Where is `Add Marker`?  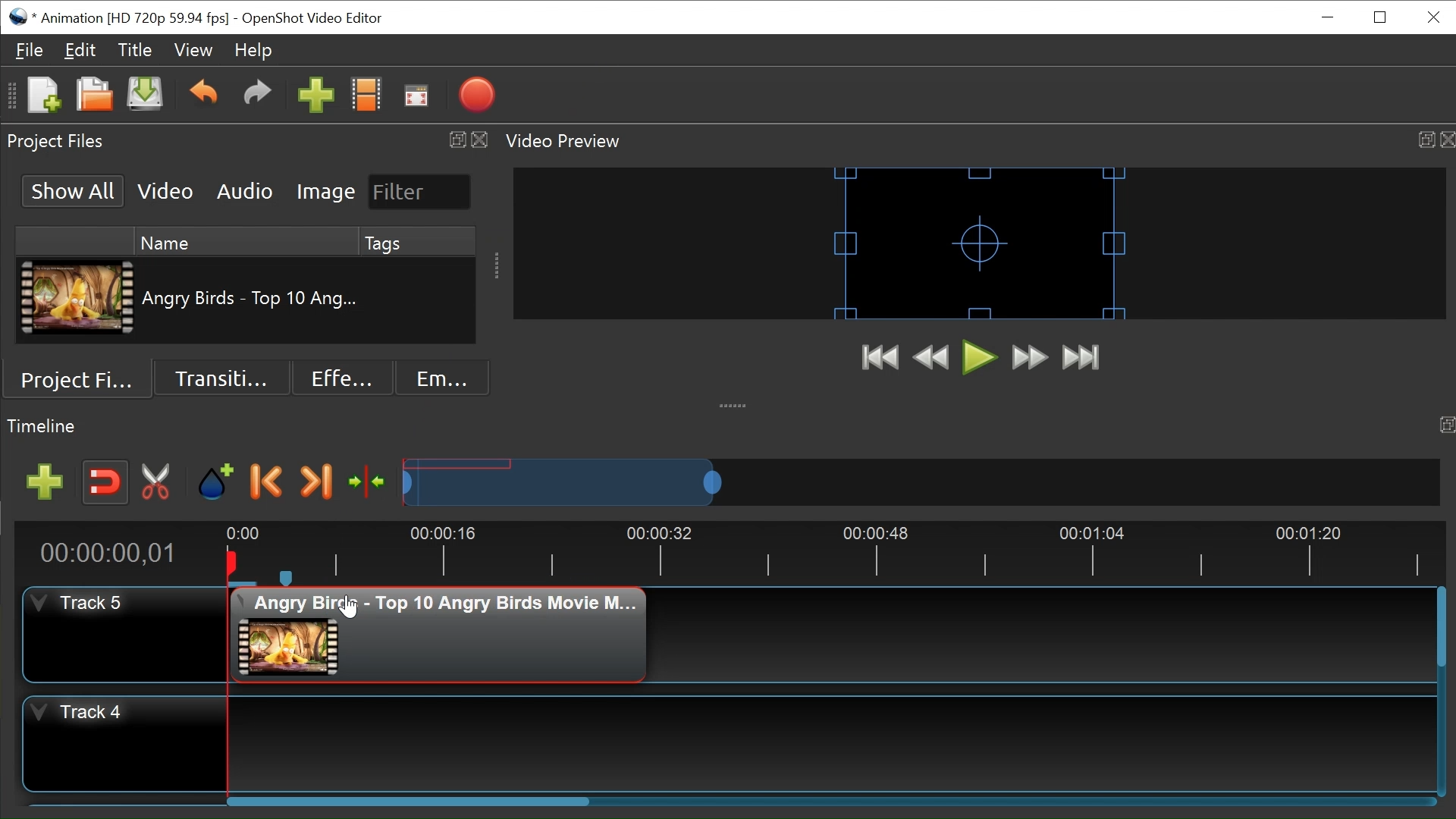
Add Marker is located at coordinates (215, 482).